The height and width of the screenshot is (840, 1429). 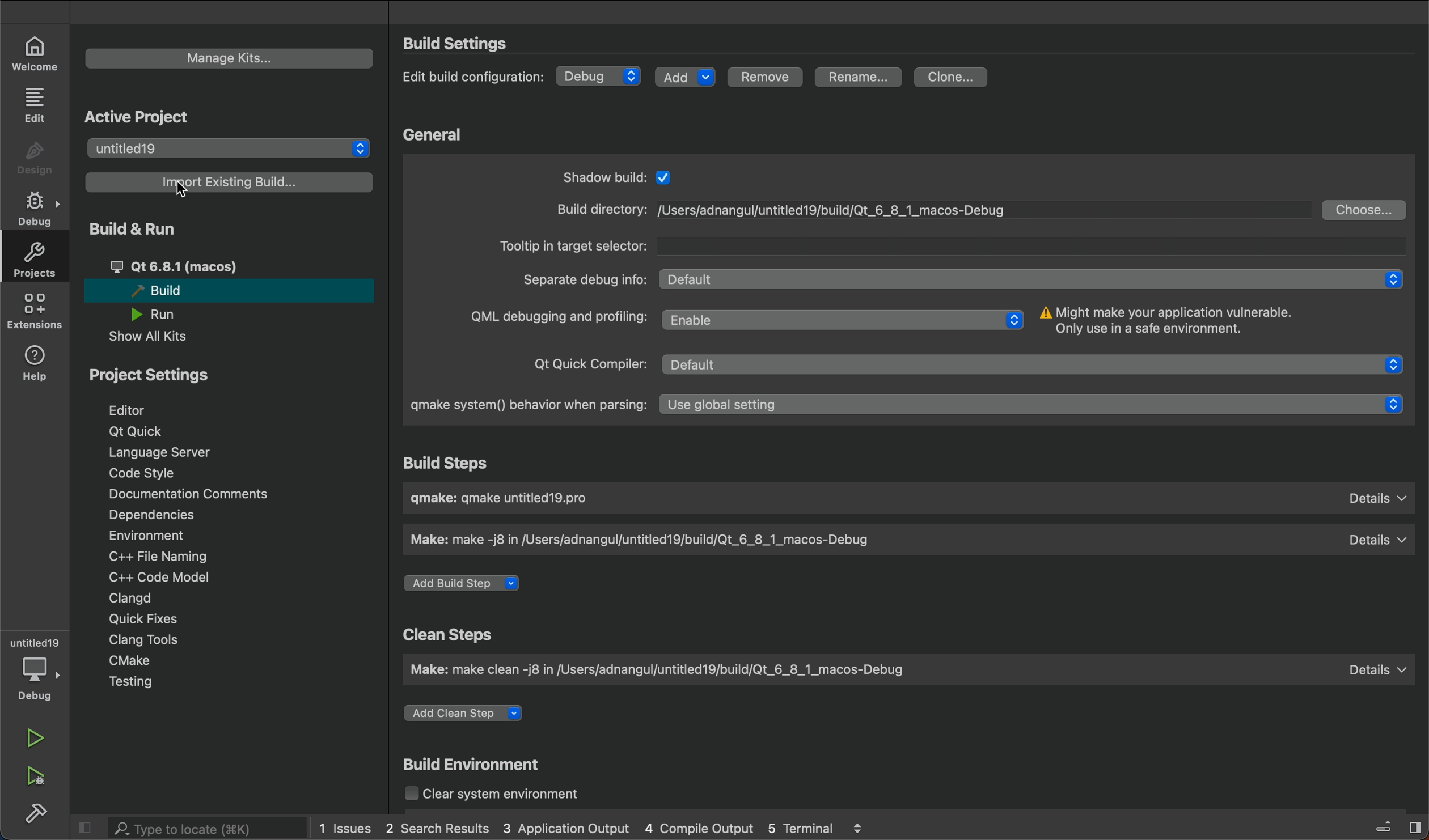 What do you see at coordinates (929, 209) in the screenshot?
I see `build directory ` at bounding box center [929, 209].